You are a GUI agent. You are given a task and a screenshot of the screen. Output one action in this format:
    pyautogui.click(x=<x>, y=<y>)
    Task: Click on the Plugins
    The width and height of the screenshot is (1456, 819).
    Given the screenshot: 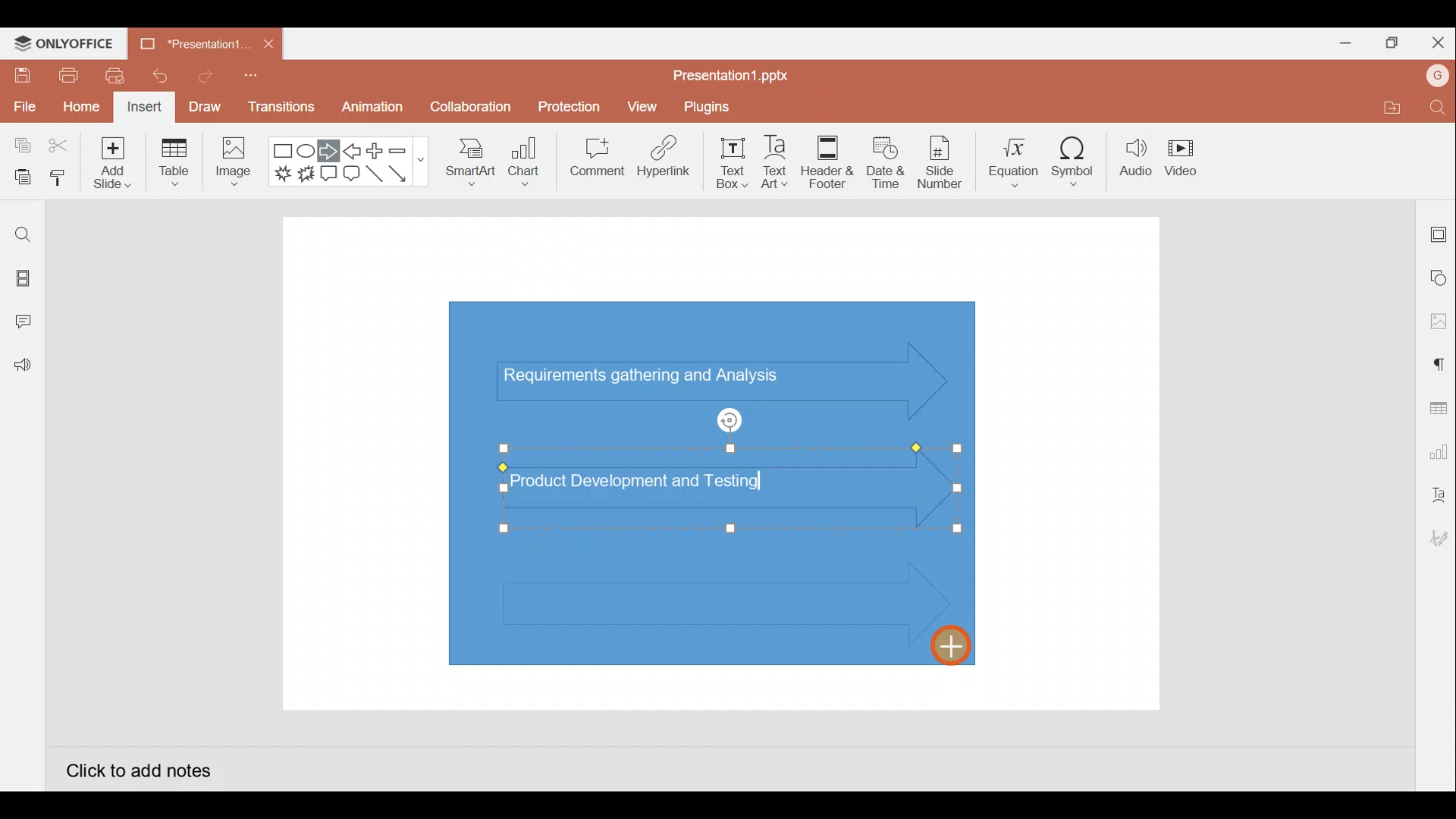 What is the action you would take?
    pyautogui.click(x=717, y=105)
    